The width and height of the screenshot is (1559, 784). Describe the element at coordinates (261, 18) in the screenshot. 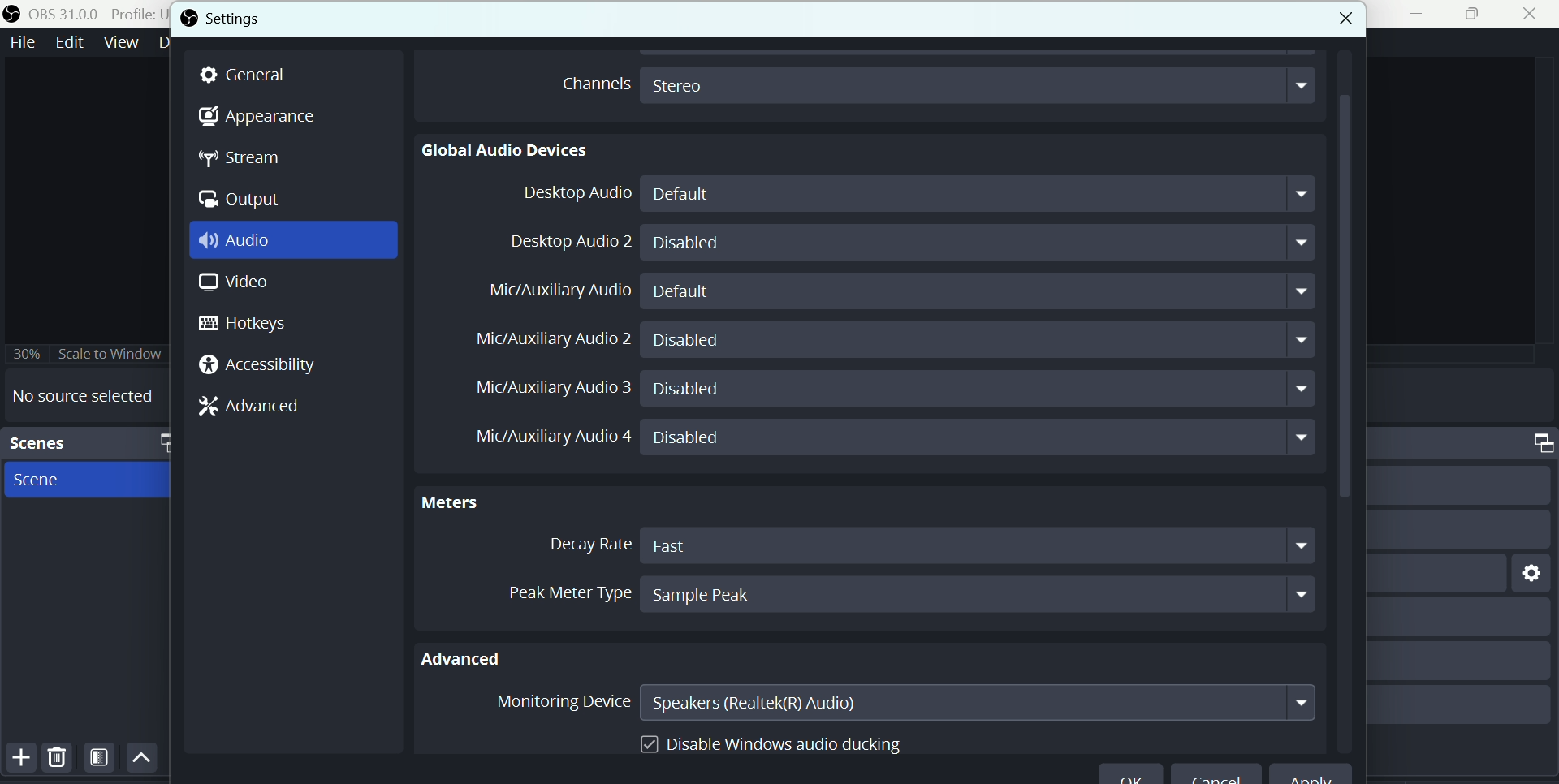

I see `Settings` at that location.